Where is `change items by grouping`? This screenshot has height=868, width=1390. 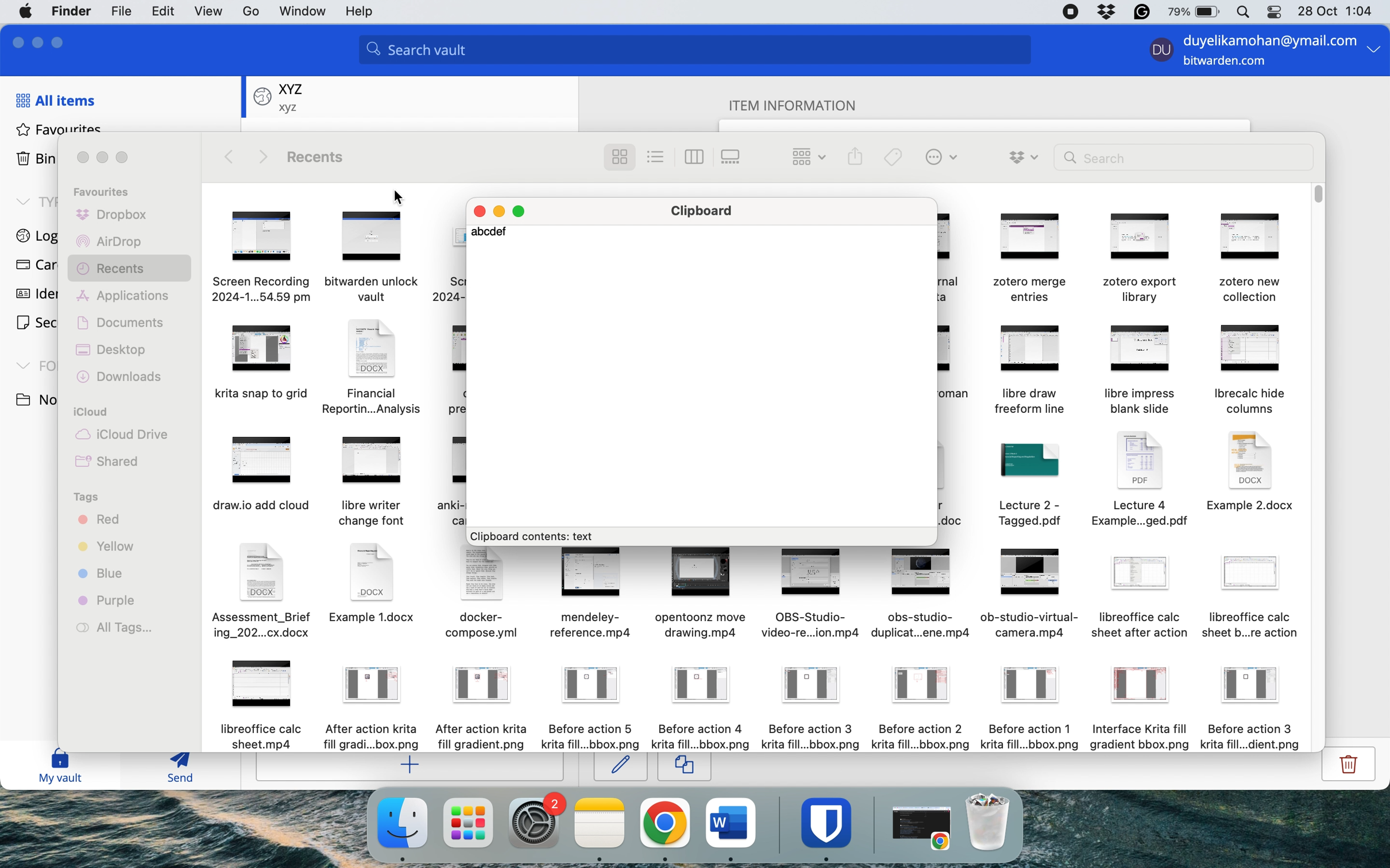
change items by grouping is located at coordinates (802, 156).